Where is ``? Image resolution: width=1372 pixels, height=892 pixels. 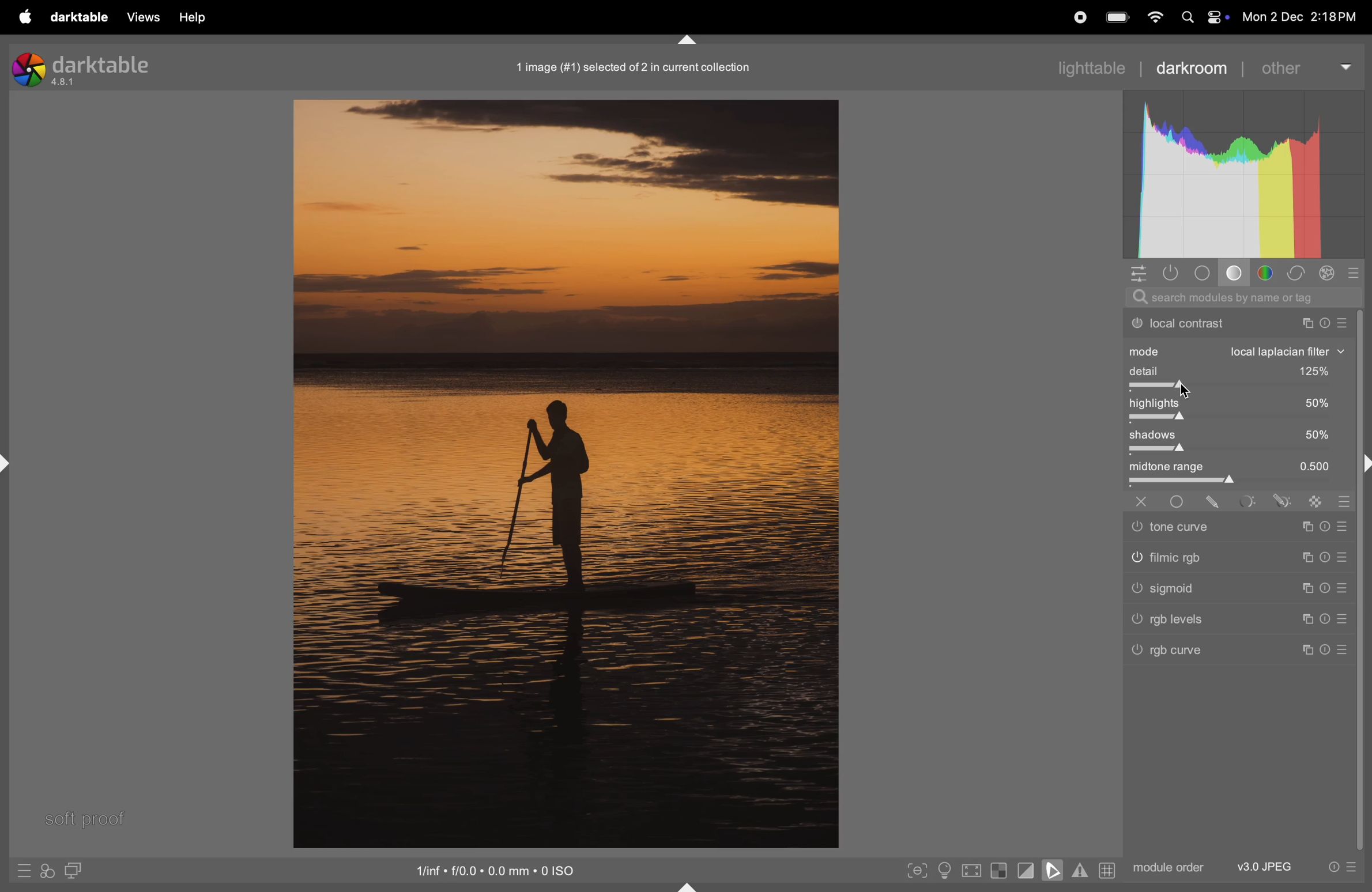
 is located at coordinates (1193, 621).